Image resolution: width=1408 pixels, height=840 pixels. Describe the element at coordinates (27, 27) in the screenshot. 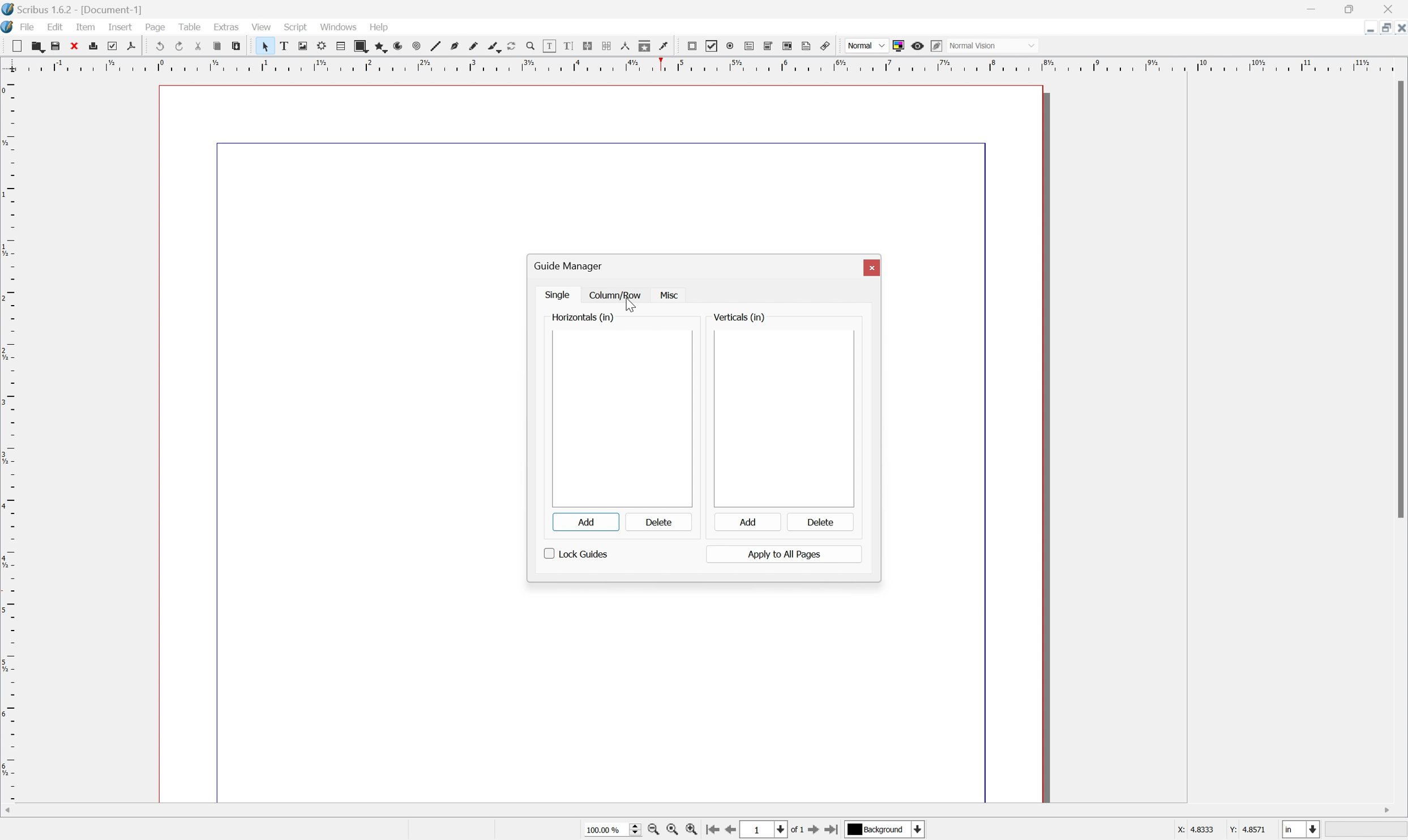

I see `file` at that location.